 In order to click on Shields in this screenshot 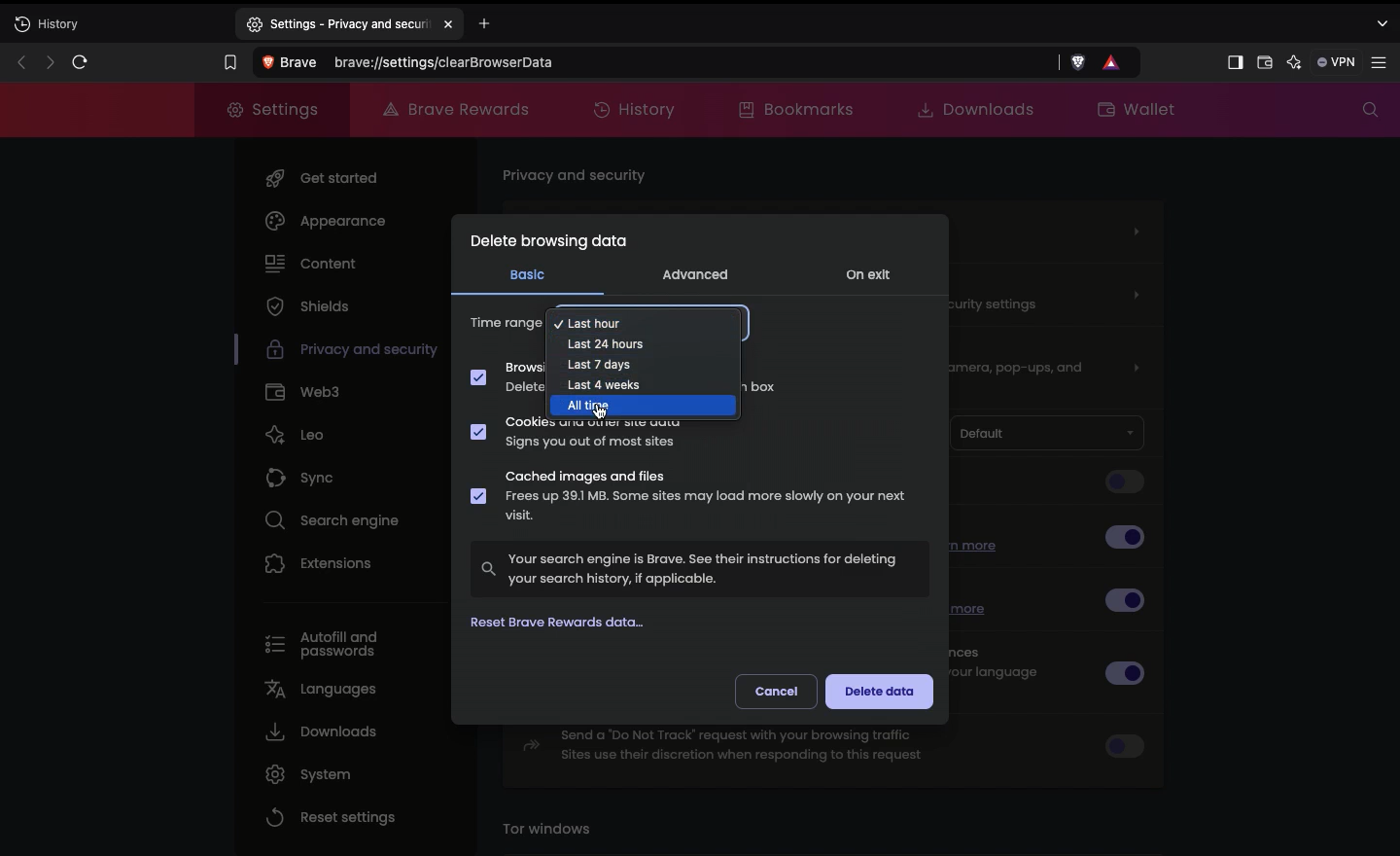, I will do `click(306, 308)`.